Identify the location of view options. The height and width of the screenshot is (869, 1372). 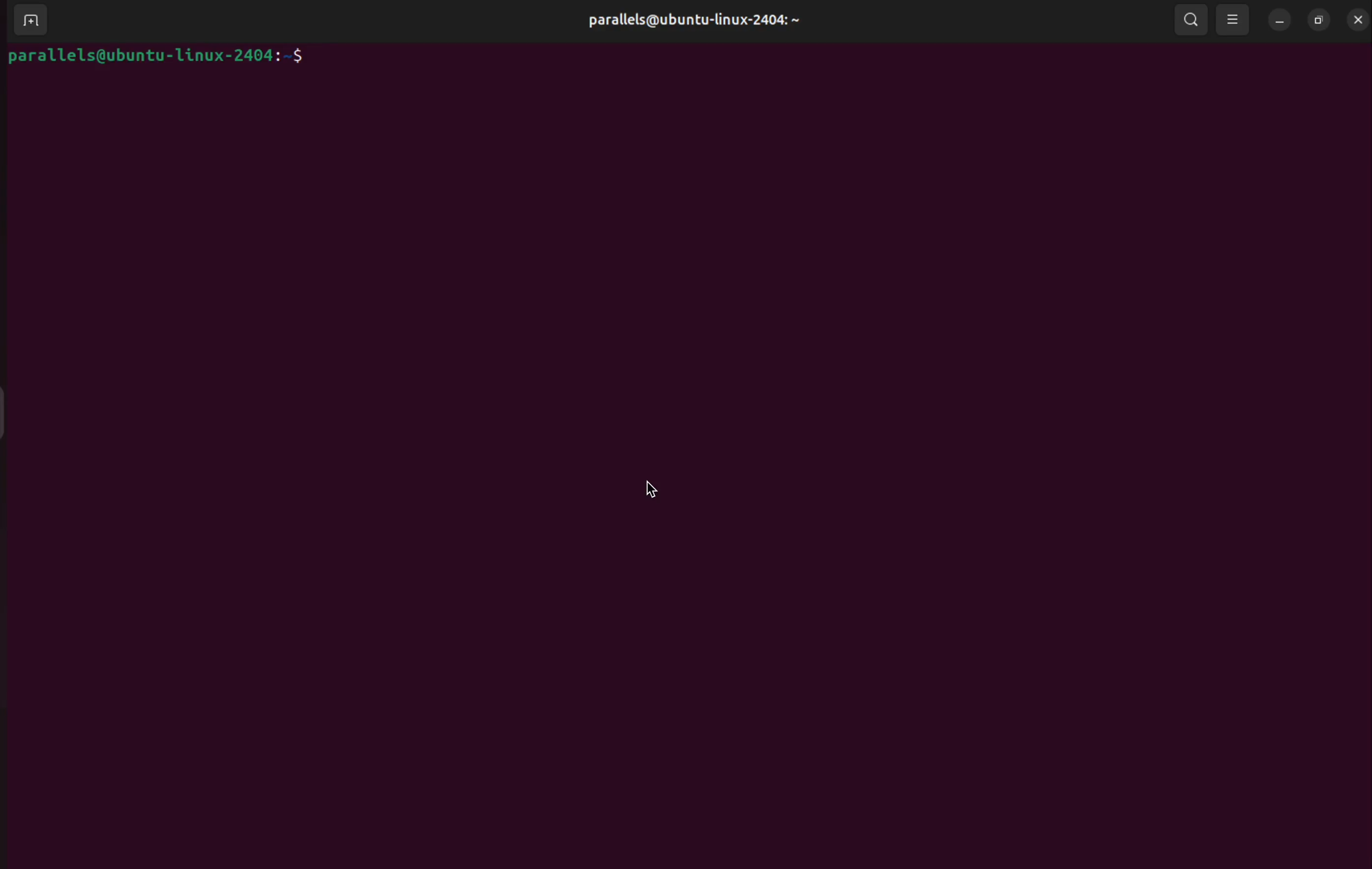
(1235, 21).